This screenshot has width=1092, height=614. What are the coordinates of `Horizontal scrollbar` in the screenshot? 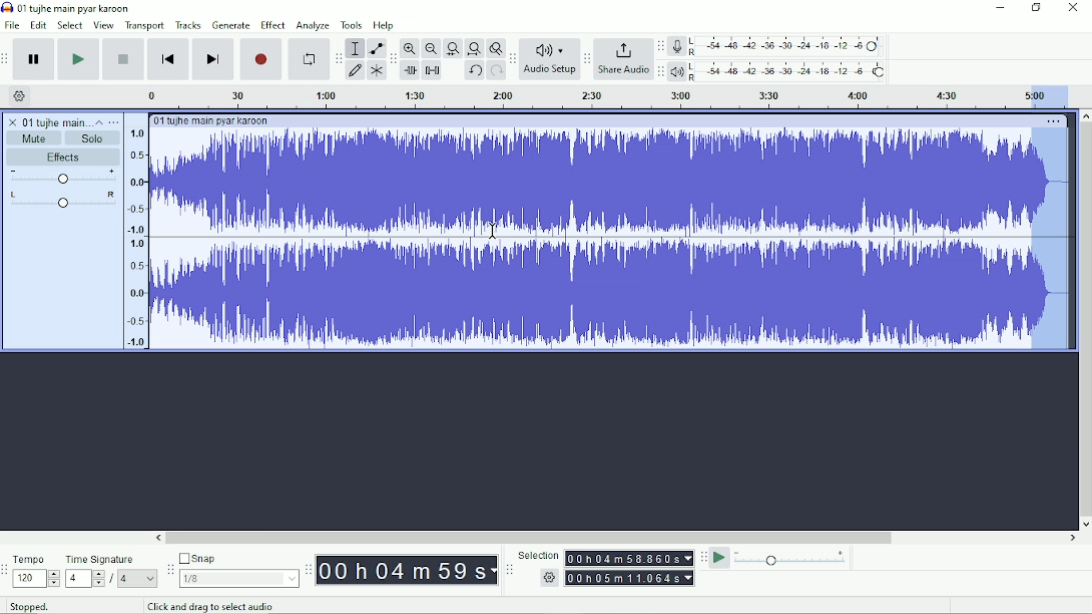 It's located at (616, 538).